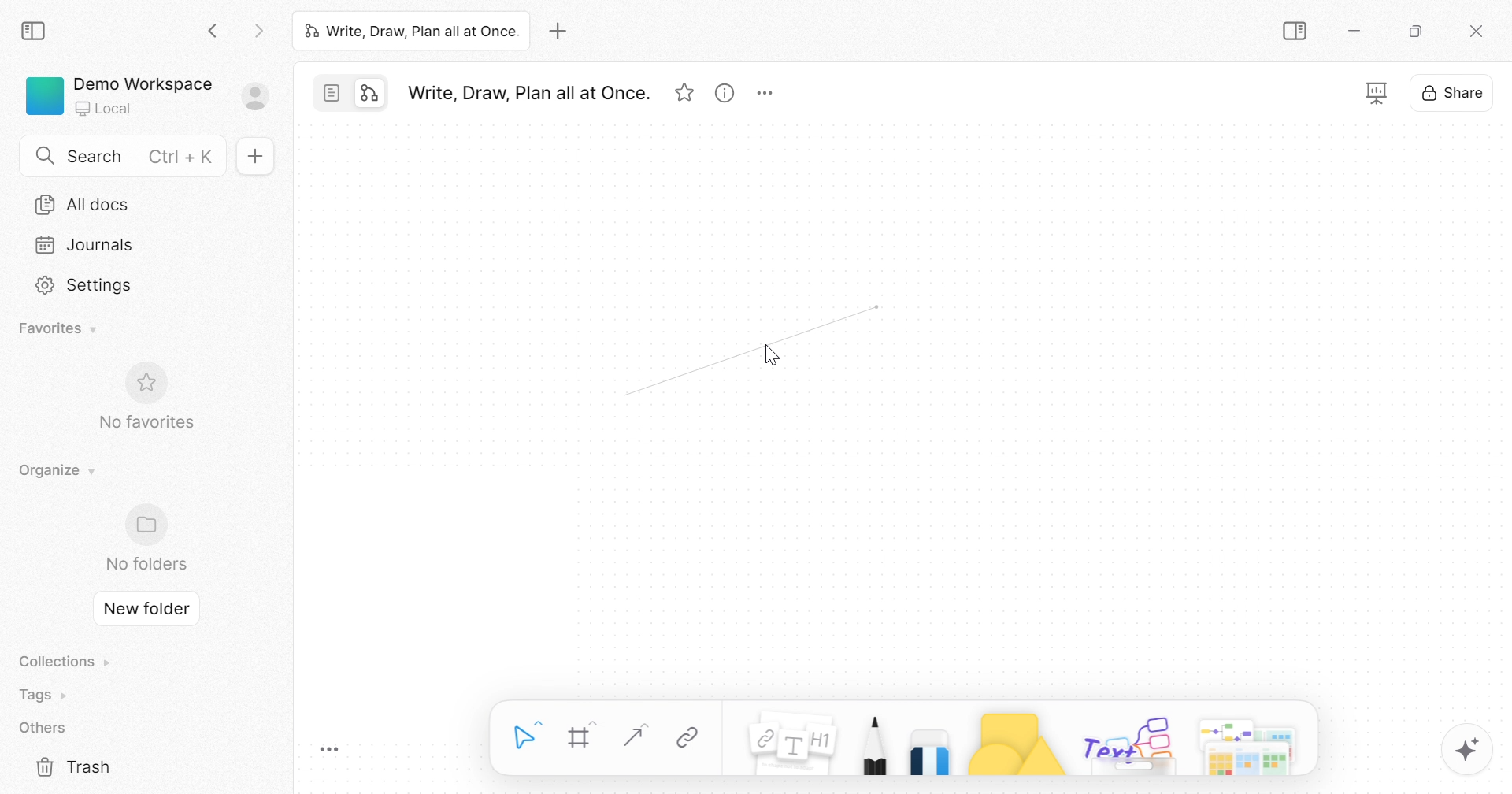  Describe the element at coordinates (724, 96) in the screenshot. I see `View info` at that location.